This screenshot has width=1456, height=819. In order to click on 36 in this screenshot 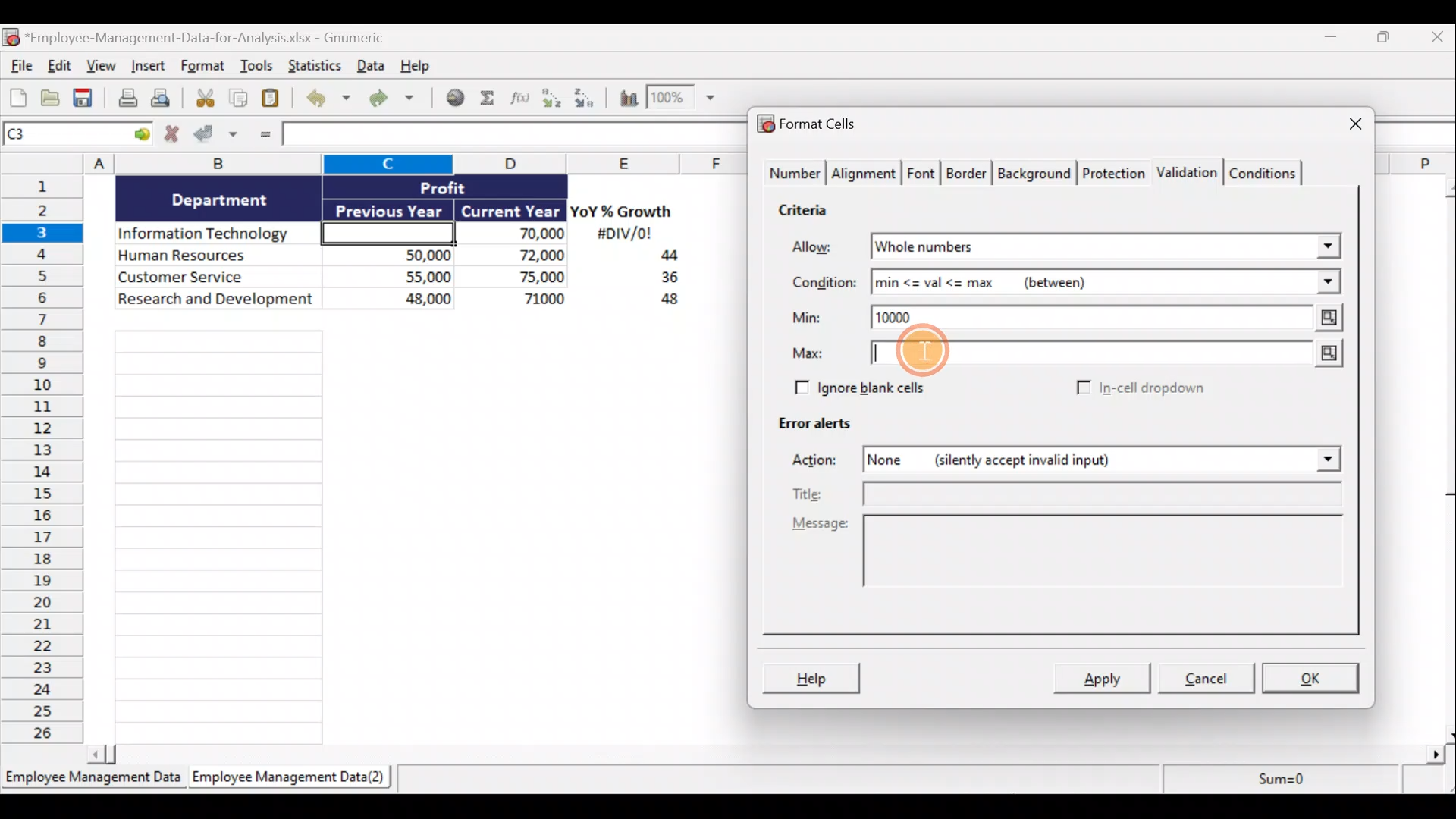, I will do `click(664, 280)`.